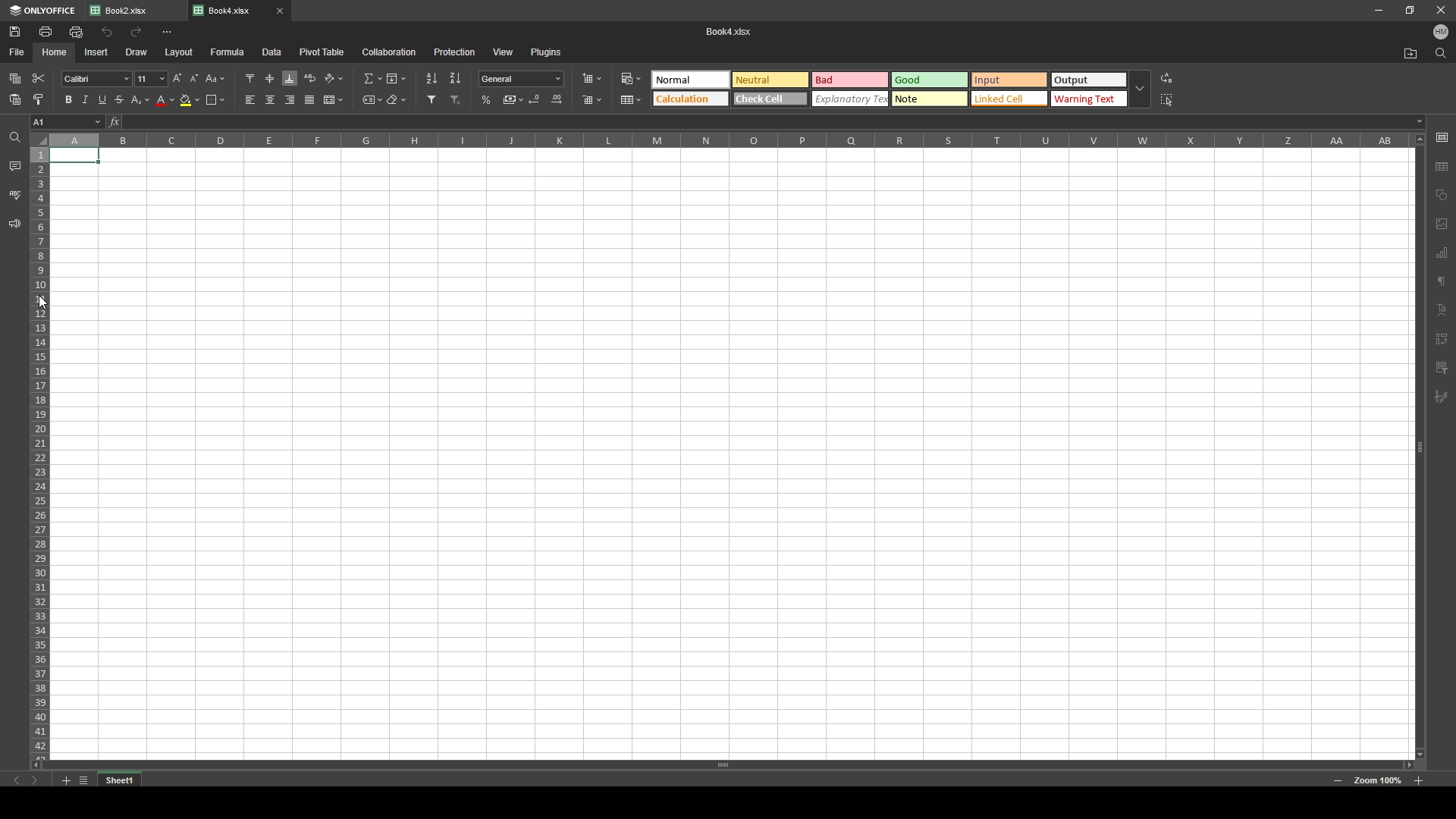 The width and height of the screenshot is (1456, 819). I want to click on data, so click(272, 52).